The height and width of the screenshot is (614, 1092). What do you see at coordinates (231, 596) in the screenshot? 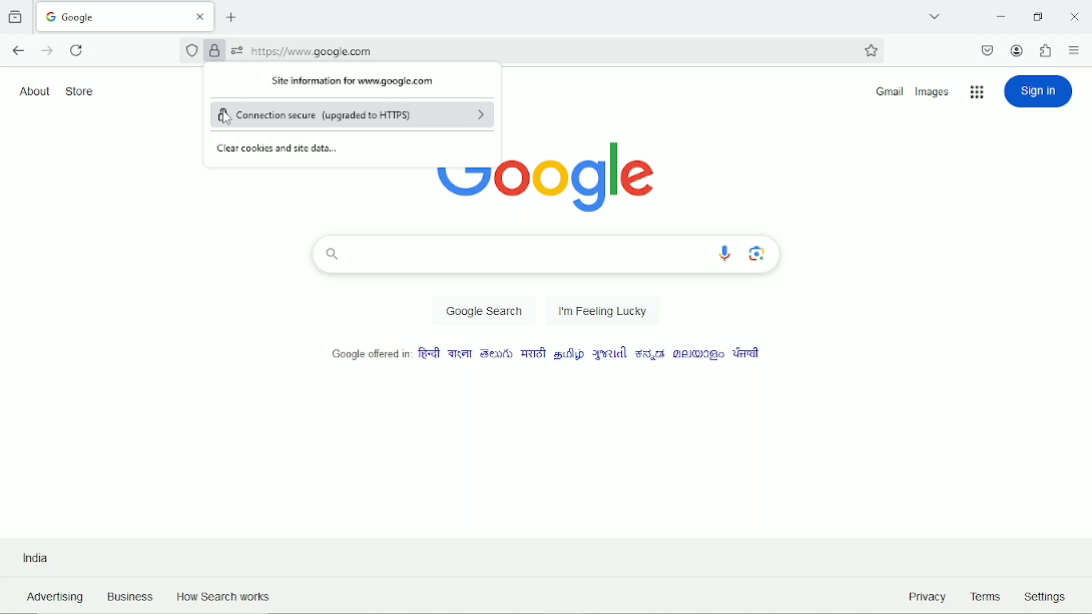
I see `How Search Works` at bounding box center [231, 596].